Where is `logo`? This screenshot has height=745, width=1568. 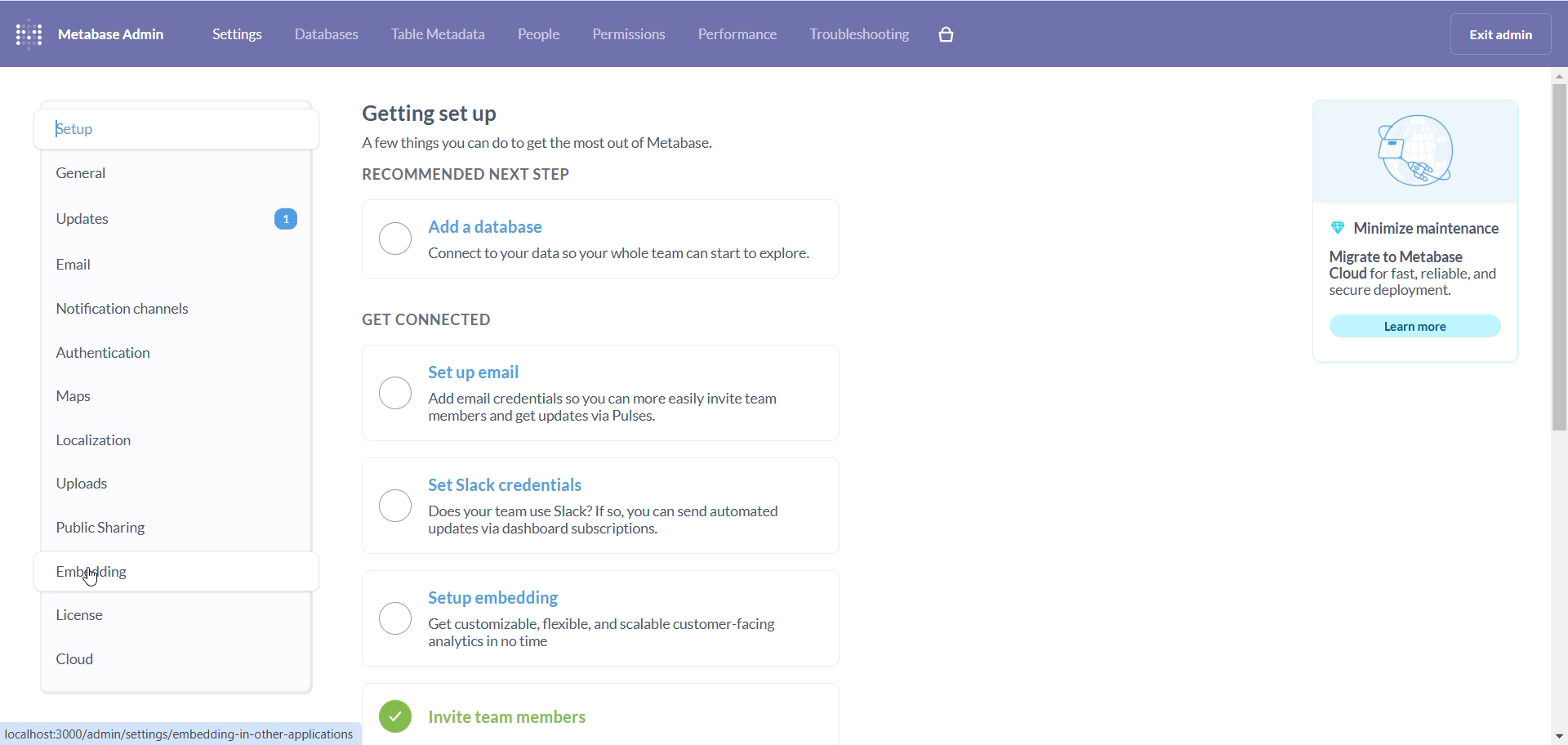 logo is located at coordinates (29, 32).